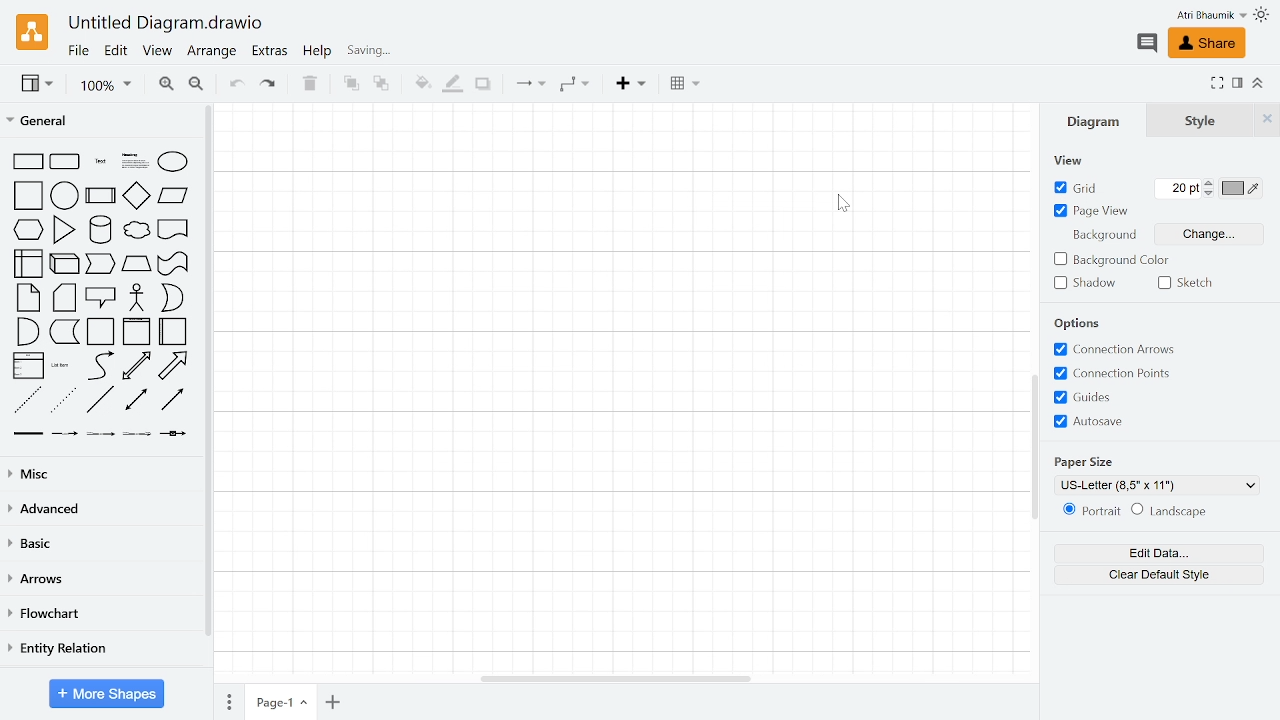 The image size is (1280, 720). What do you see at coordinates (98, 647) in the screenshot?
I see `Entity relation` at bounding box center [98, 647].